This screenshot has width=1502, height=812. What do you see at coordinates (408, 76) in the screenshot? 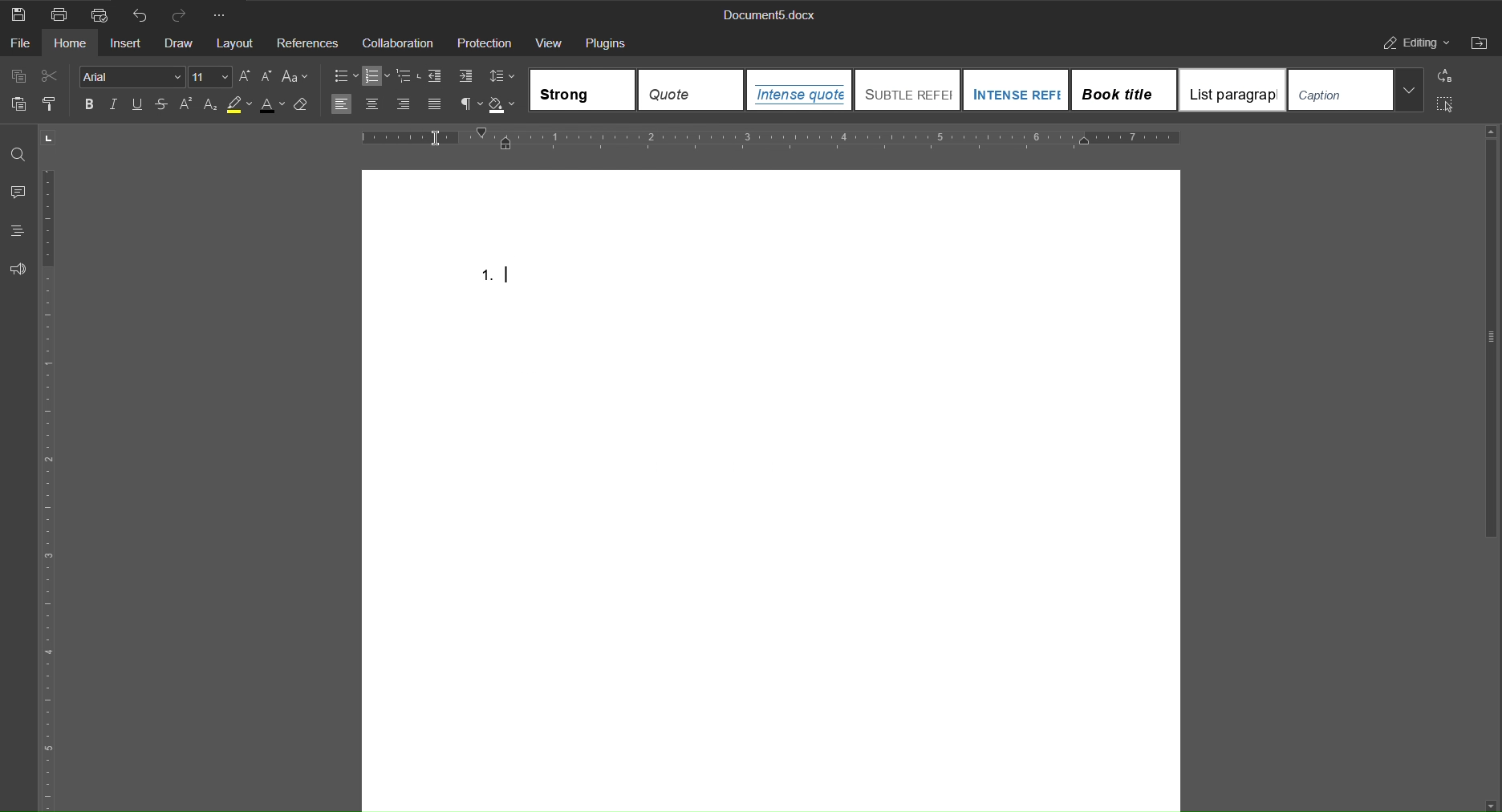
I see `Multilevel list` at bounding box center [408, 76].